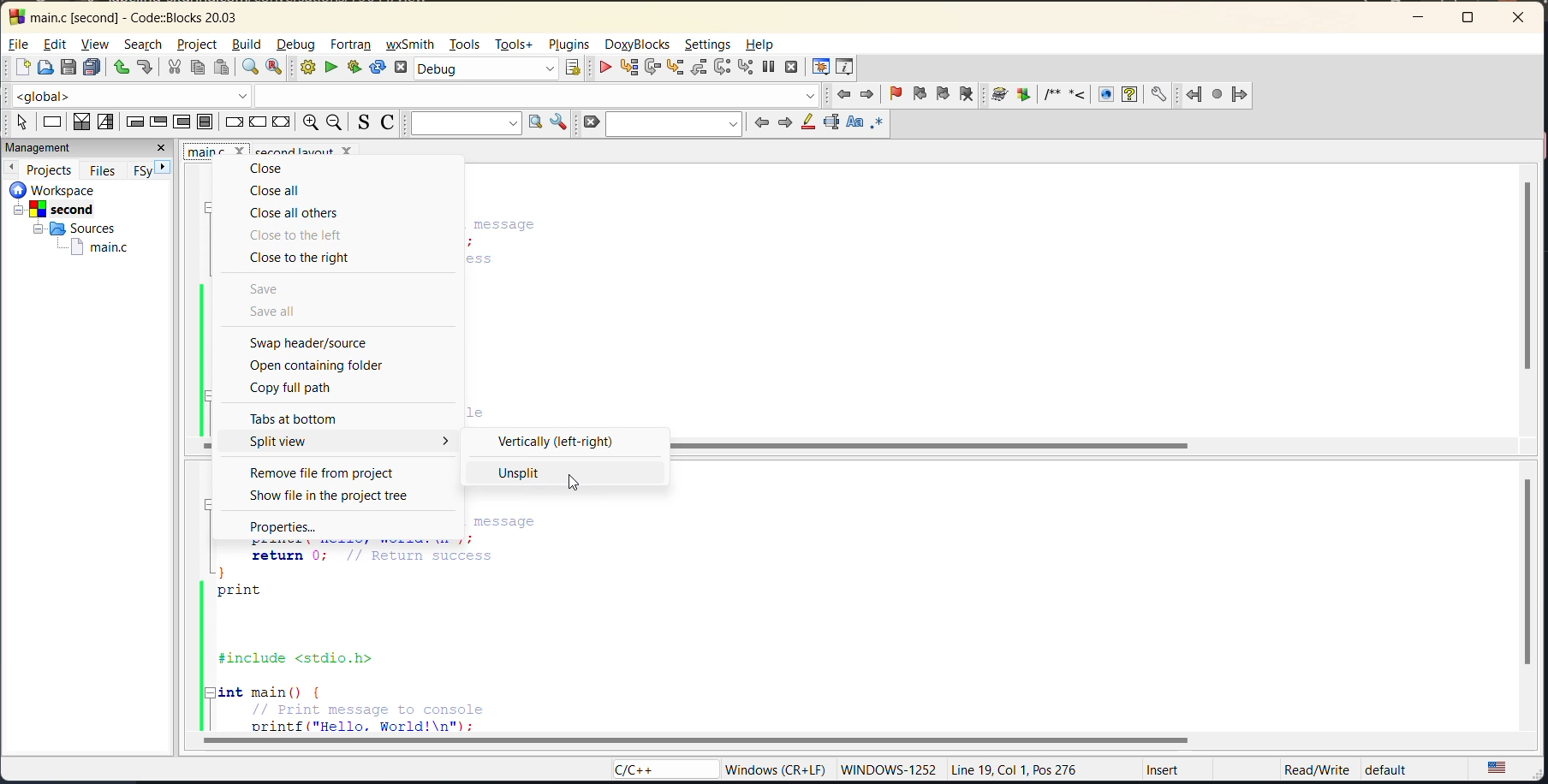 The width and height of the screenshot is (1548, 784). I want to click on default, so click(1388, 767).